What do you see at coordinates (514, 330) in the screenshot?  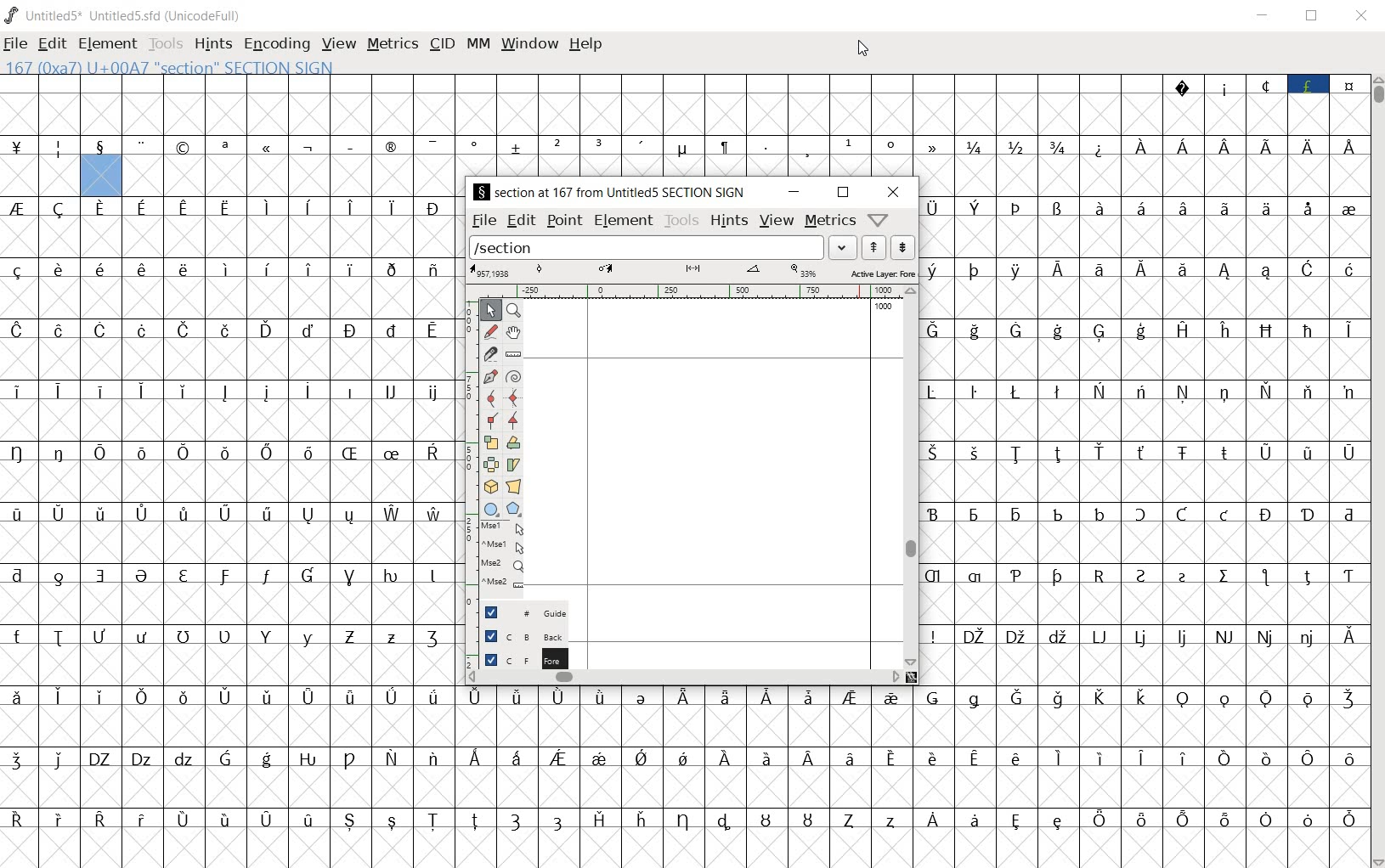 I see `scroll by hand` at bounding box center [514, 330].